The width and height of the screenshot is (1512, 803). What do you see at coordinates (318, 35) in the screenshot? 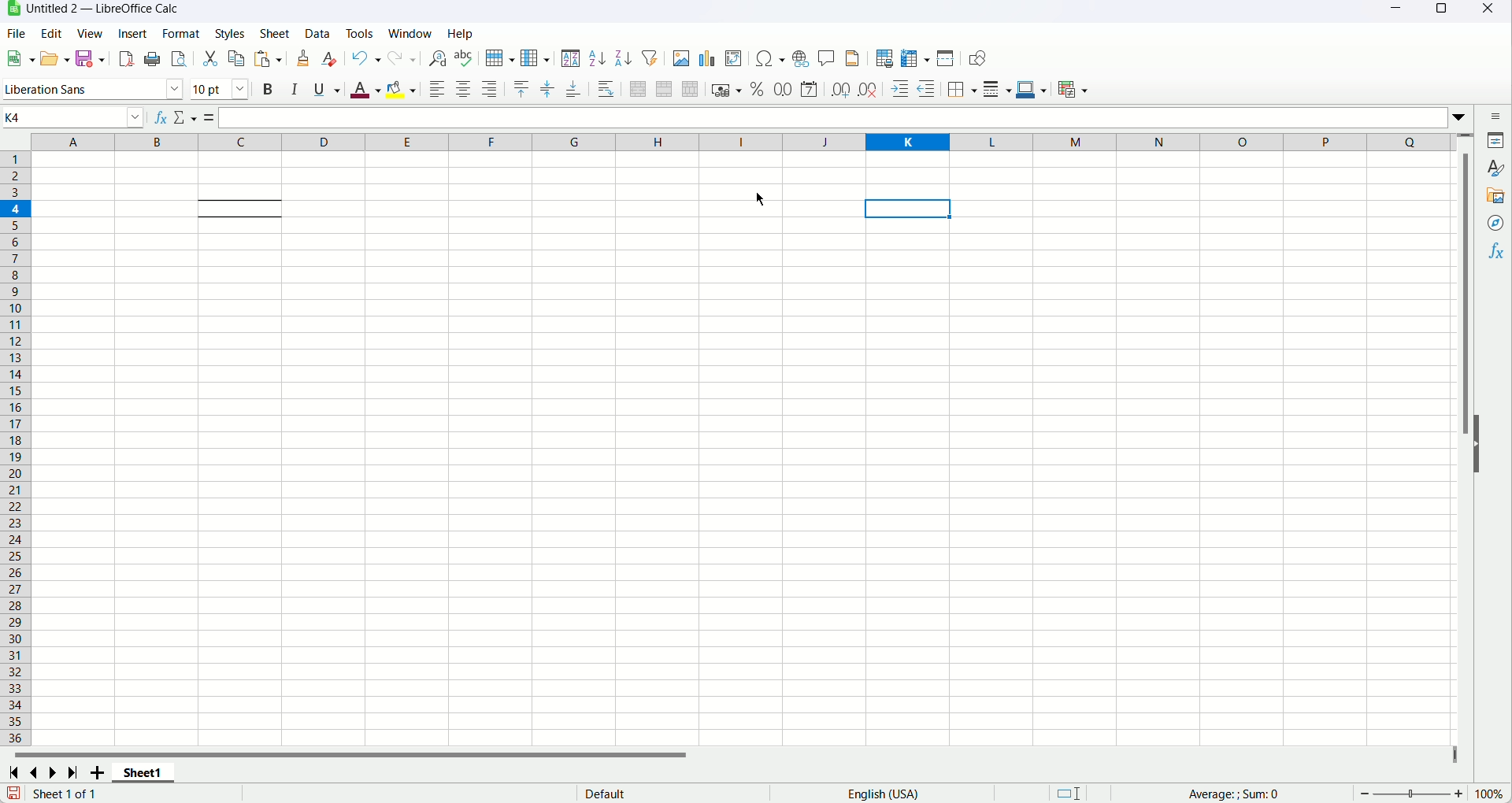
I see `Data` at bounding box center [318, 35].